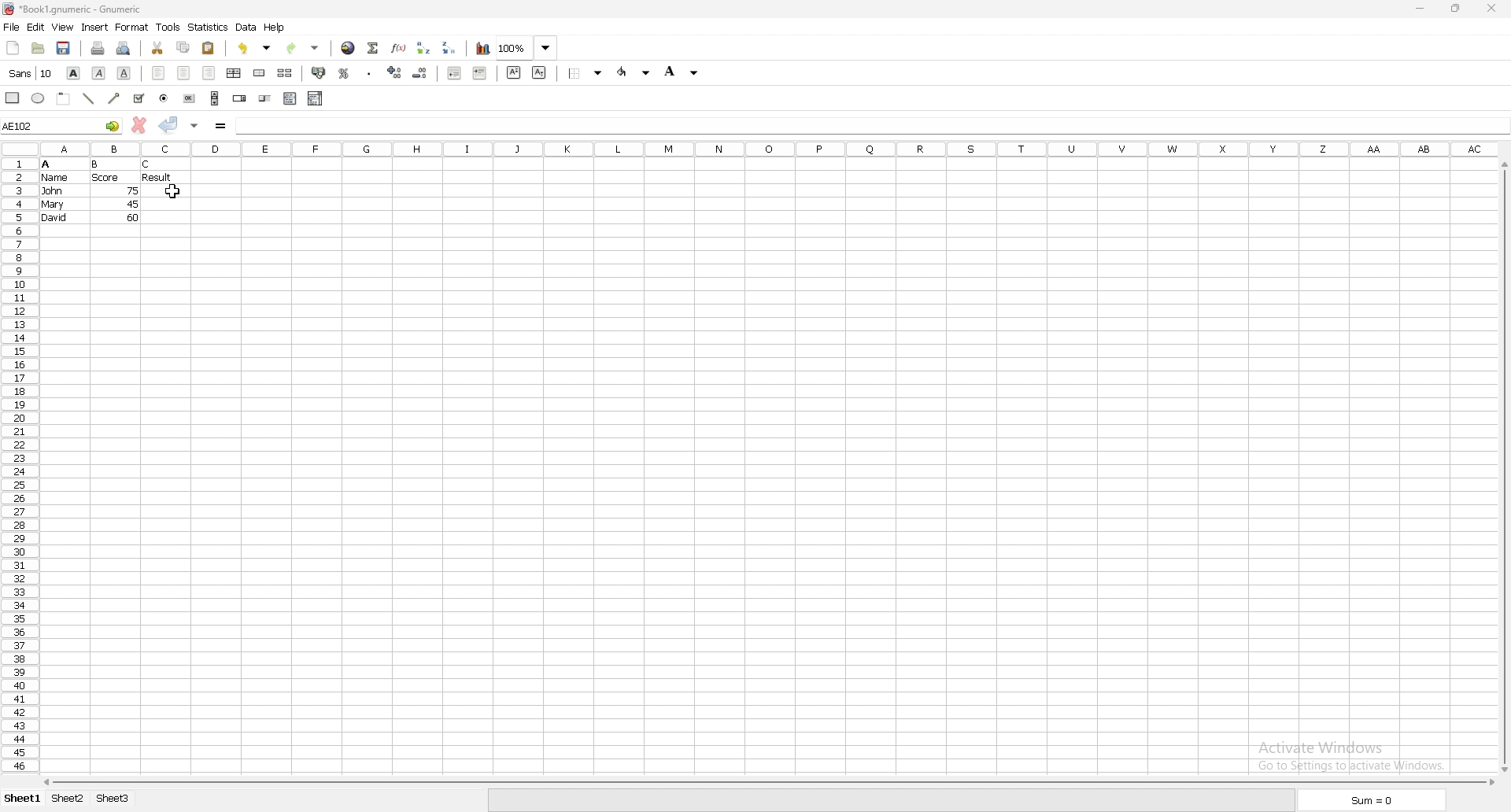 This screenshot has height=812, width=1511. I want to click on minimize, so click(1420, 8).